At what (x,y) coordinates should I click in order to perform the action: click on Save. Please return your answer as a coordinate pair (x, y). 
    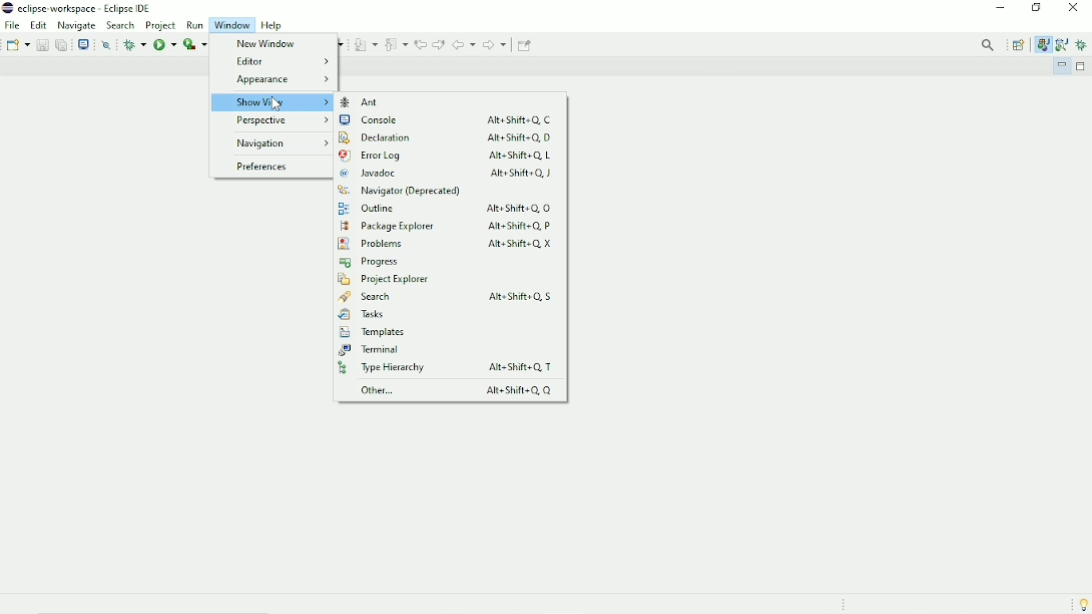
    Looking at the image, I should click on (41, 44).